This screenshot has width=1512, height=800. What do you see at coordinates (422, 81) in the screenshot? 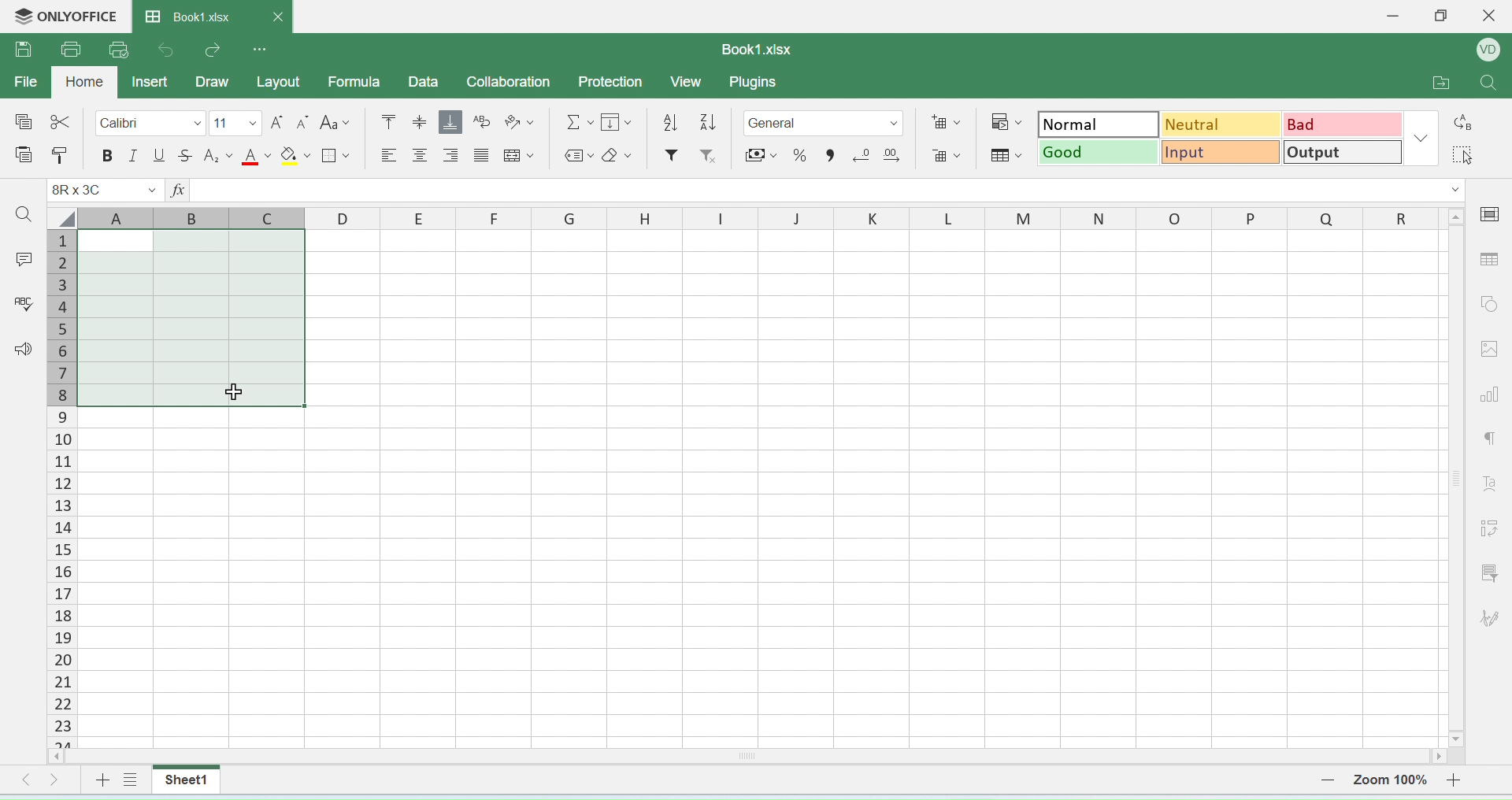
I see `data` at bounding box center [422, 81].